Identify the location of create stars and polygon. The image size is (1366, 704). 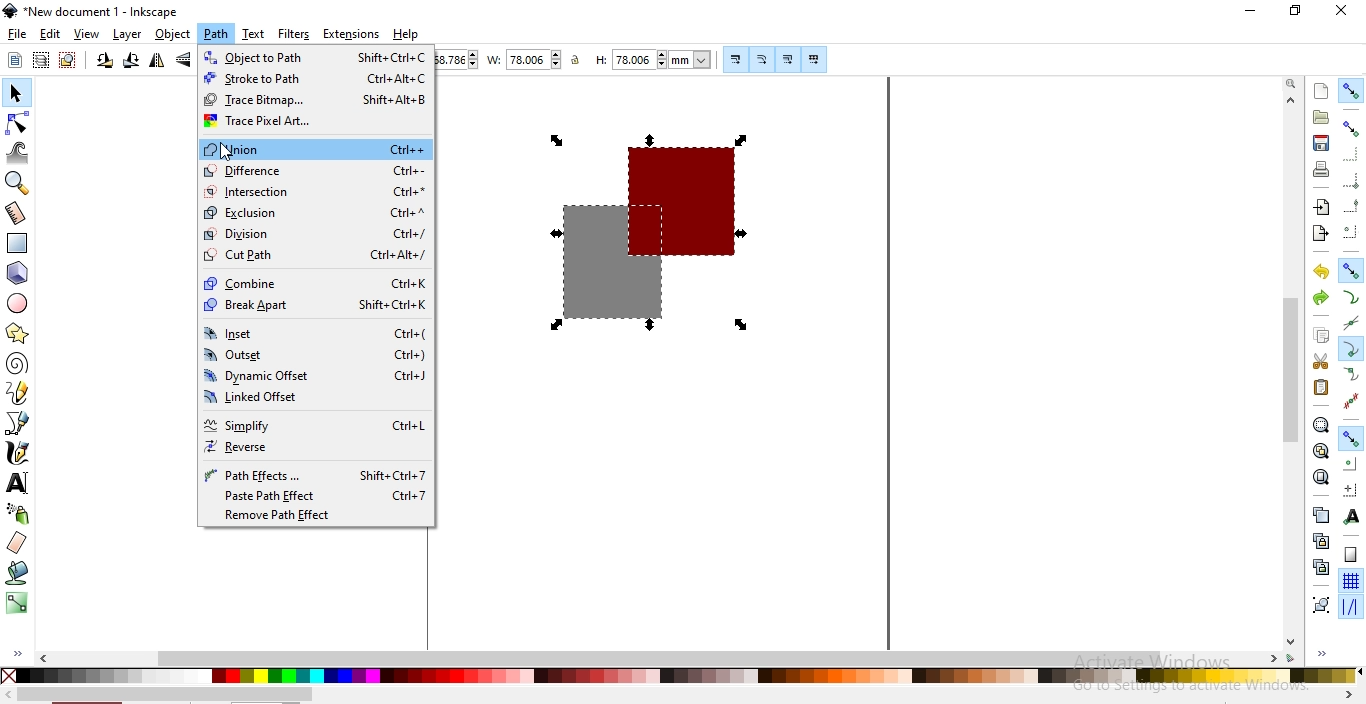
(20, 333).